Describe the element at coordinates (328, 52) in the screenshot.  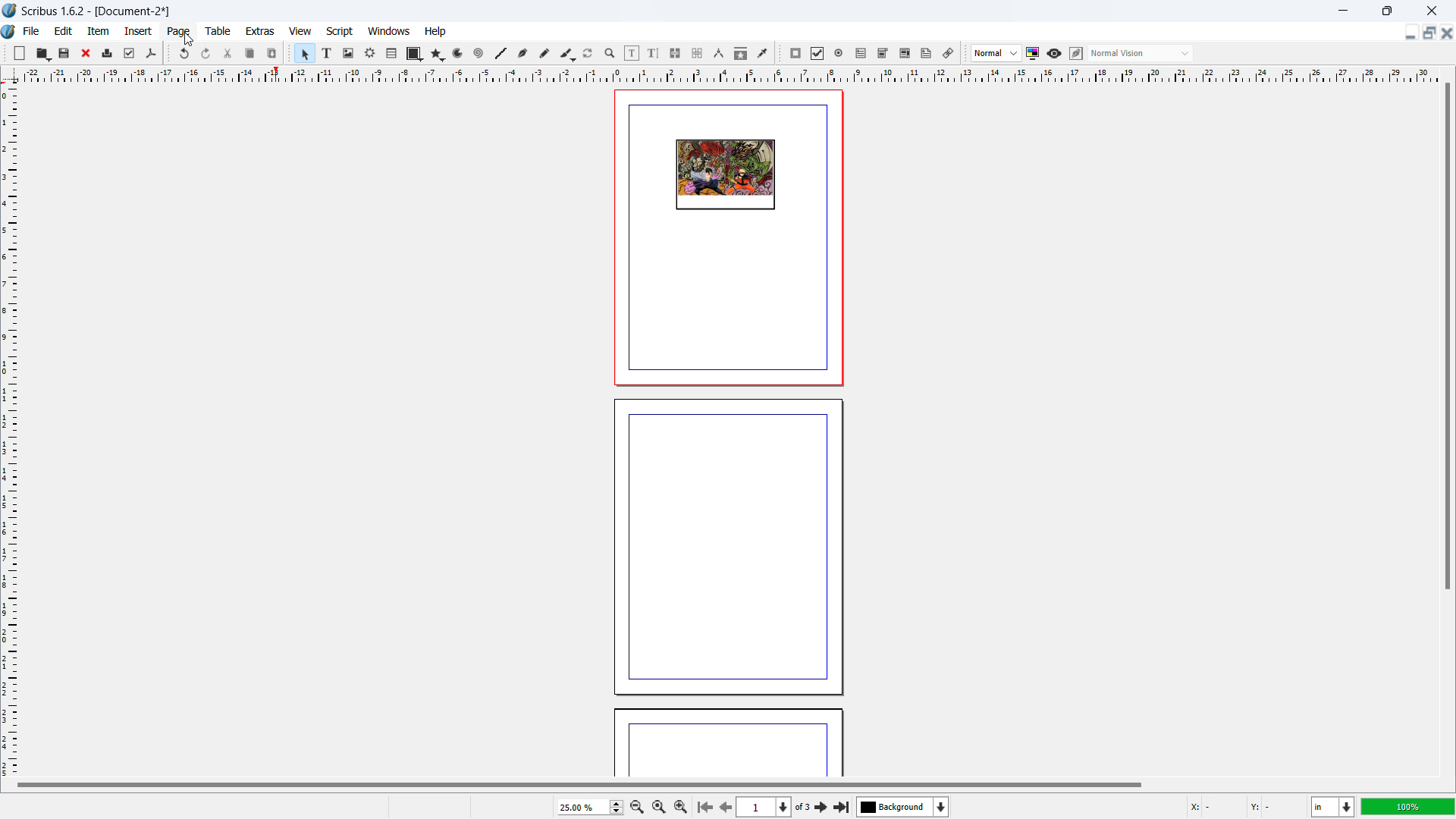
I see `text frame` at that location.